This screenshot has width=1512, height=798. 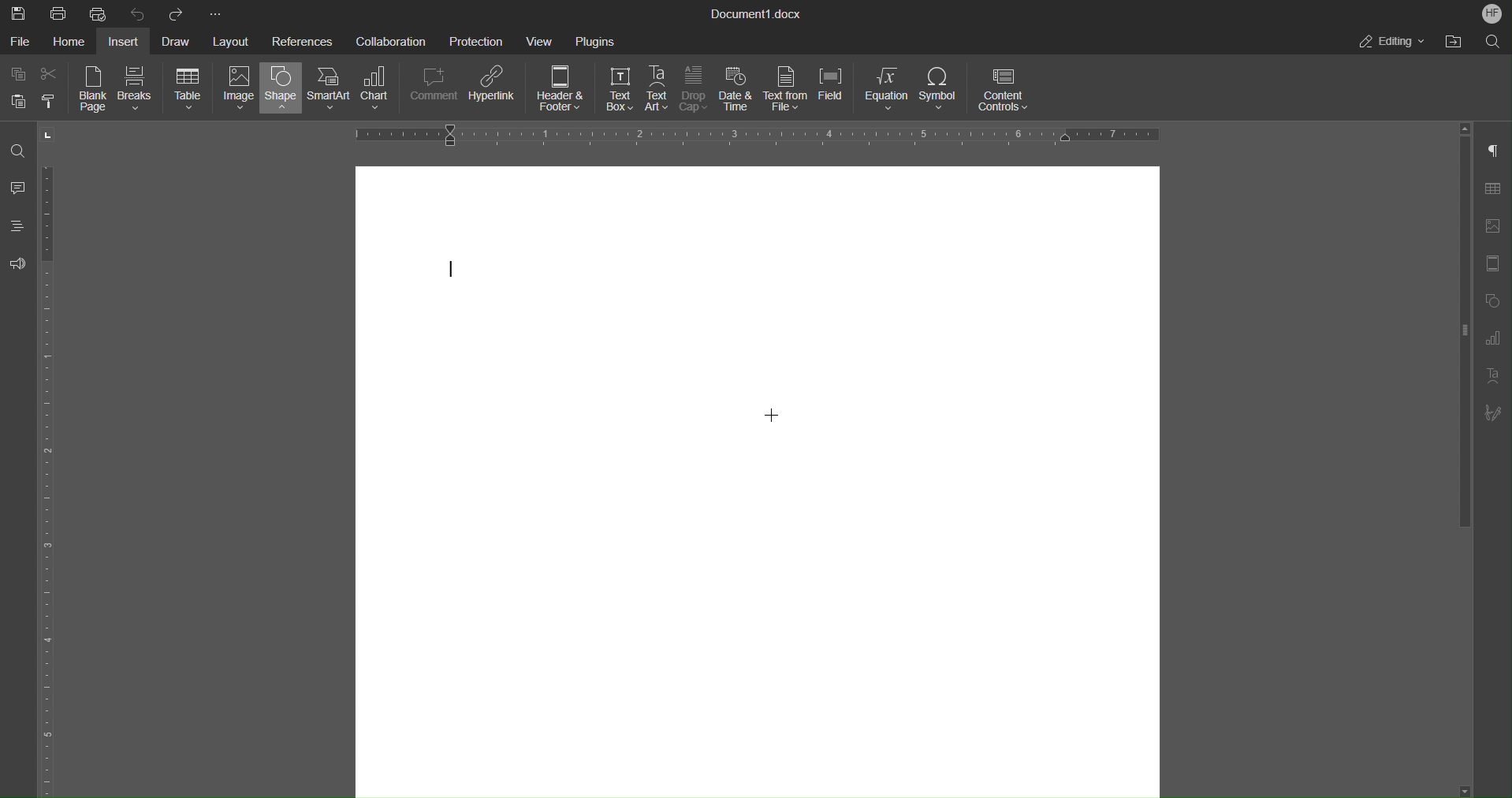 I want to click on Text Art, so click(x=658, y=90).